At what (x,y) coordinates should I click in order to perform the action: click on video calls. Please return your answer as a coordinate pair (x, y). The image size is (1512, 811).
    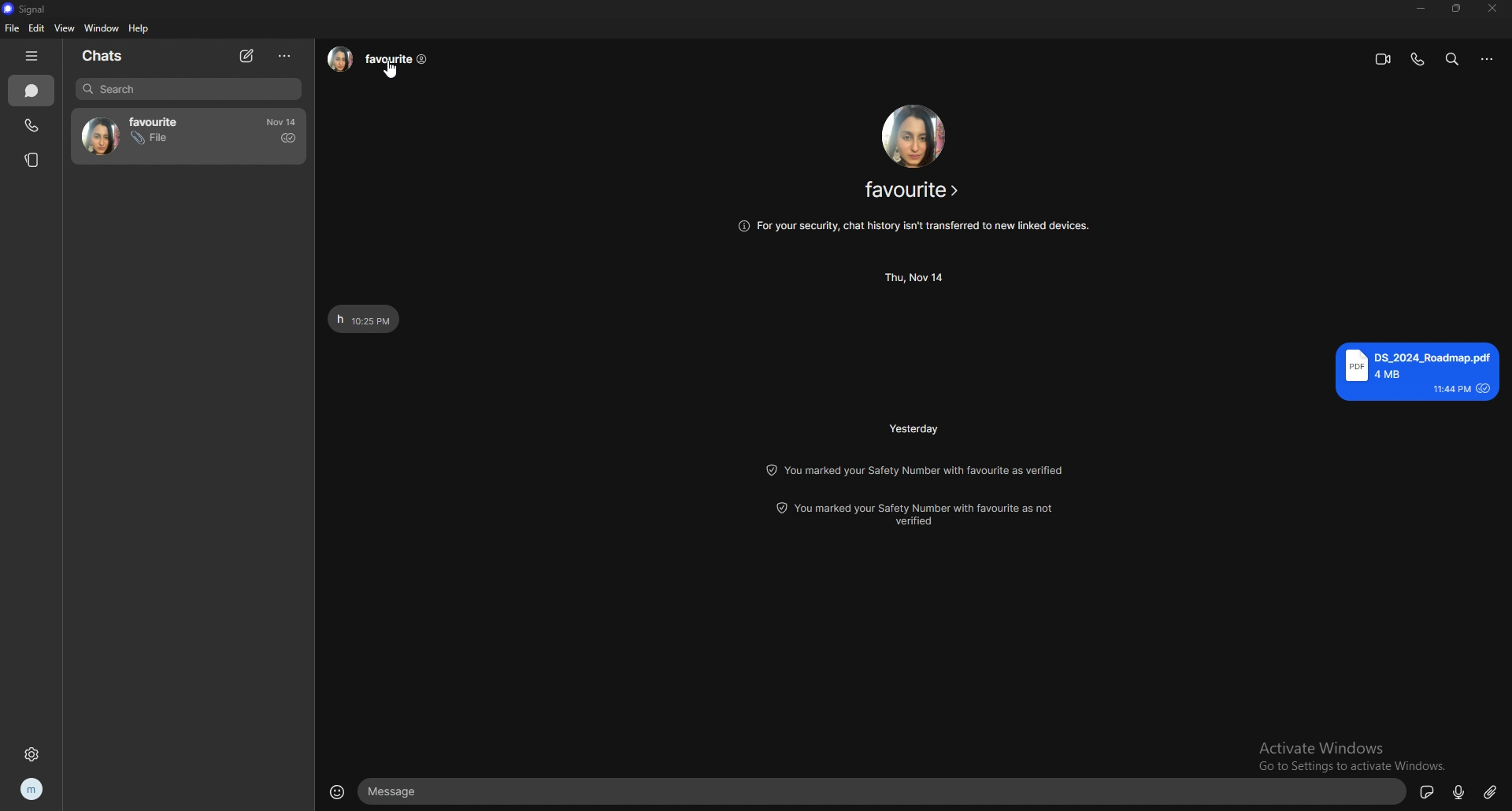
    Looking at the image, I should click on (1384, 60).